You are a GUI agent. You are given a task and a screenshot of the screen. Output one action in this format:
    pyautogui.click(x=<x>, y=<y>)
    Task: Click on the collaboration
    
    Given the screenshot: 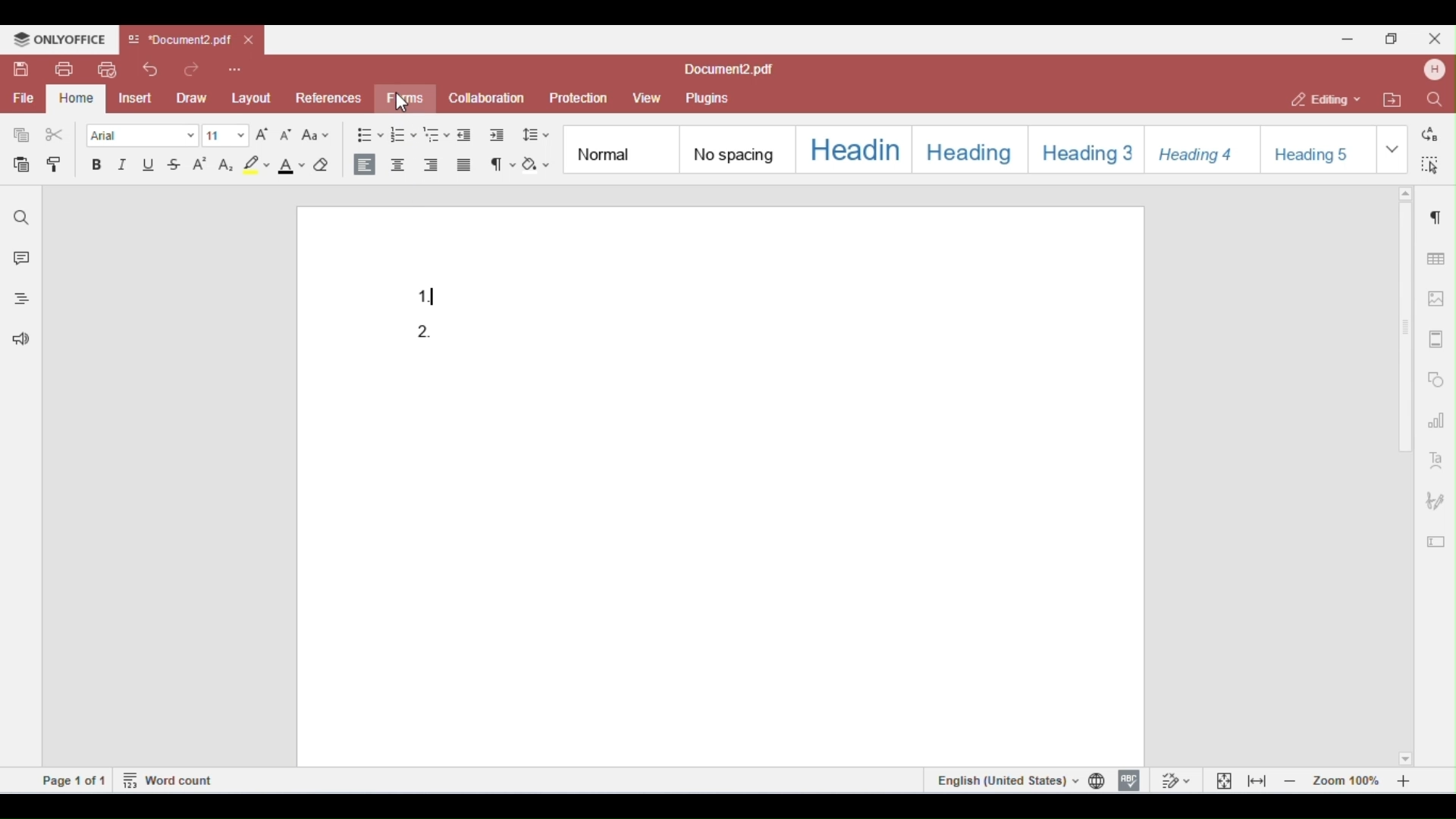 What is the action you would take?
    pyautogui.click(x=487, y=97)
    